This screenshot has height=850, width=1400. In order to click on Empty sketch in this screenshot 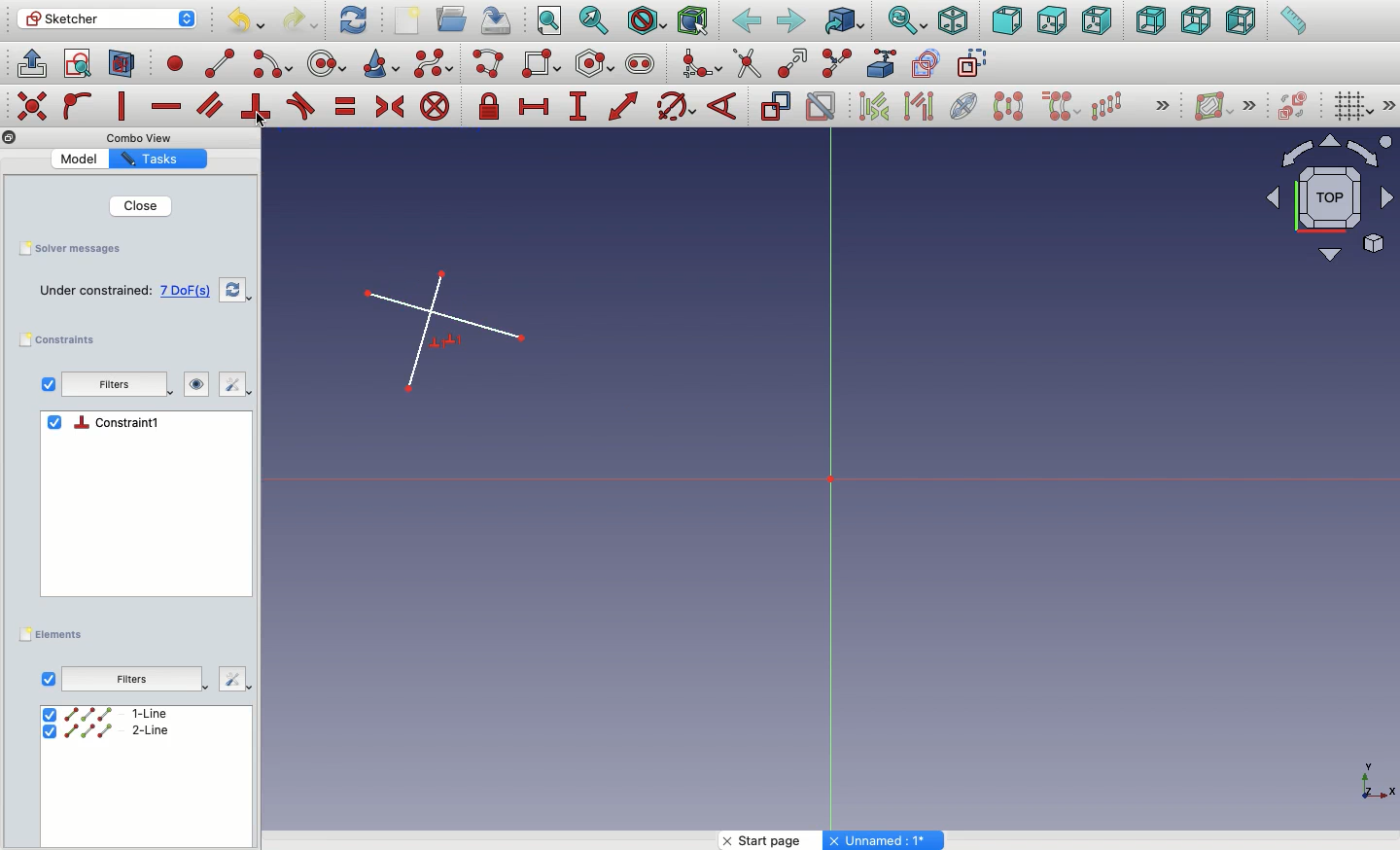, I will do `click(123, 290)`.